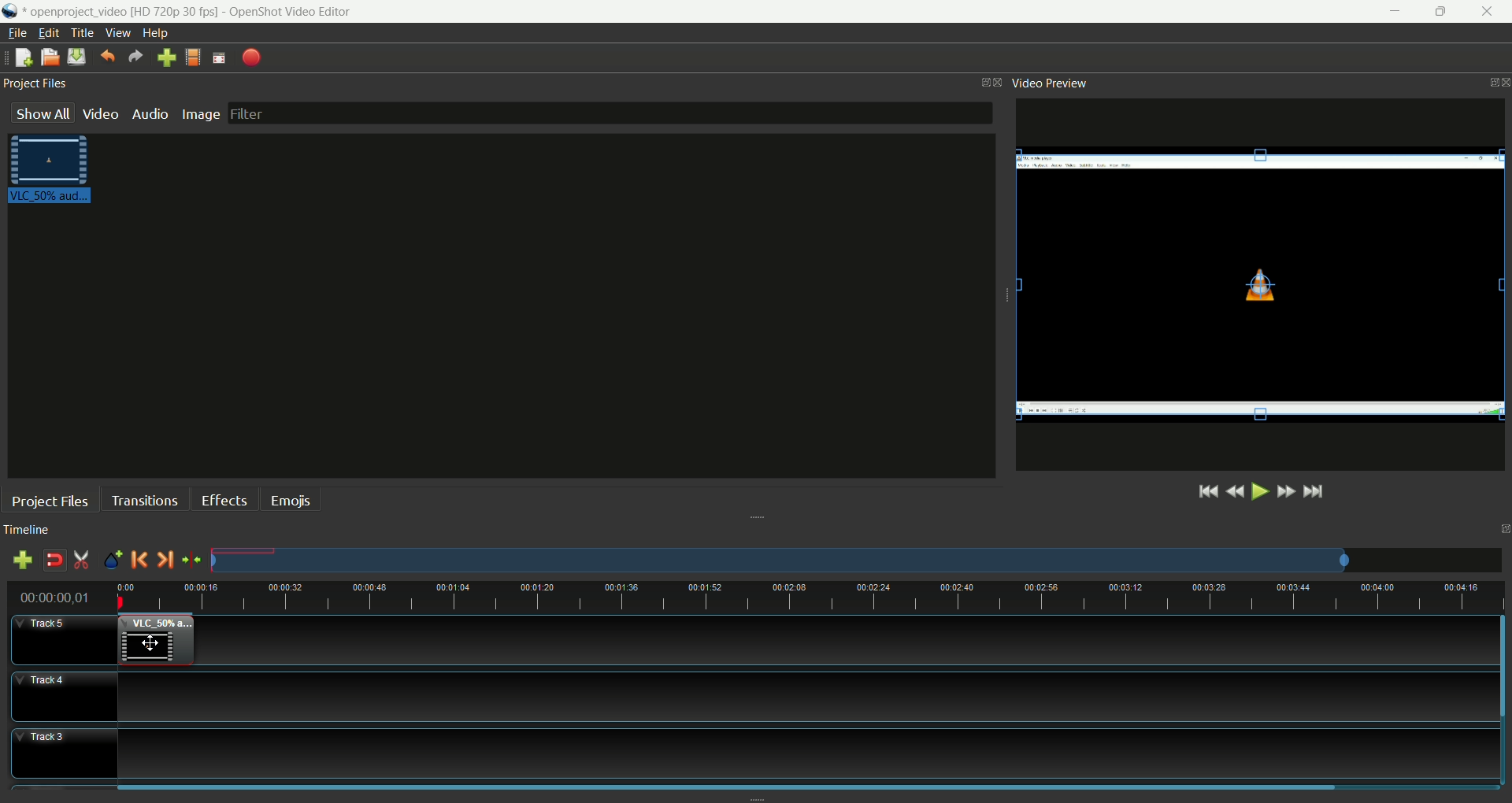 The image size is (1512, 803). Describe the element at coordinates (54, 560) in the screenshot. I see `disable snapping` at that location.